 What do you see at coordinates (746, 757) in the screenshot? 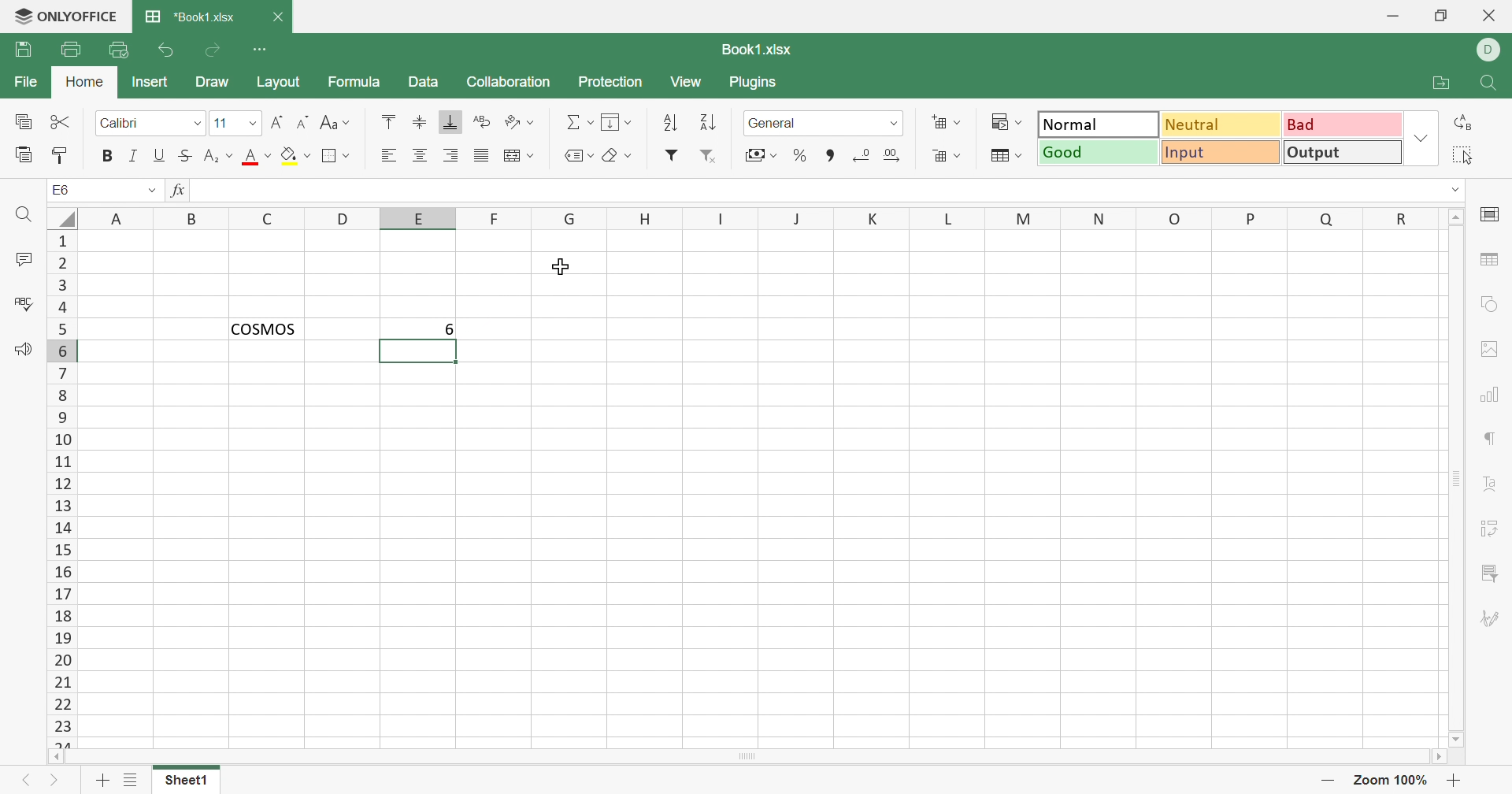
I see `Scroll bar` at bounding box center [746, 757].